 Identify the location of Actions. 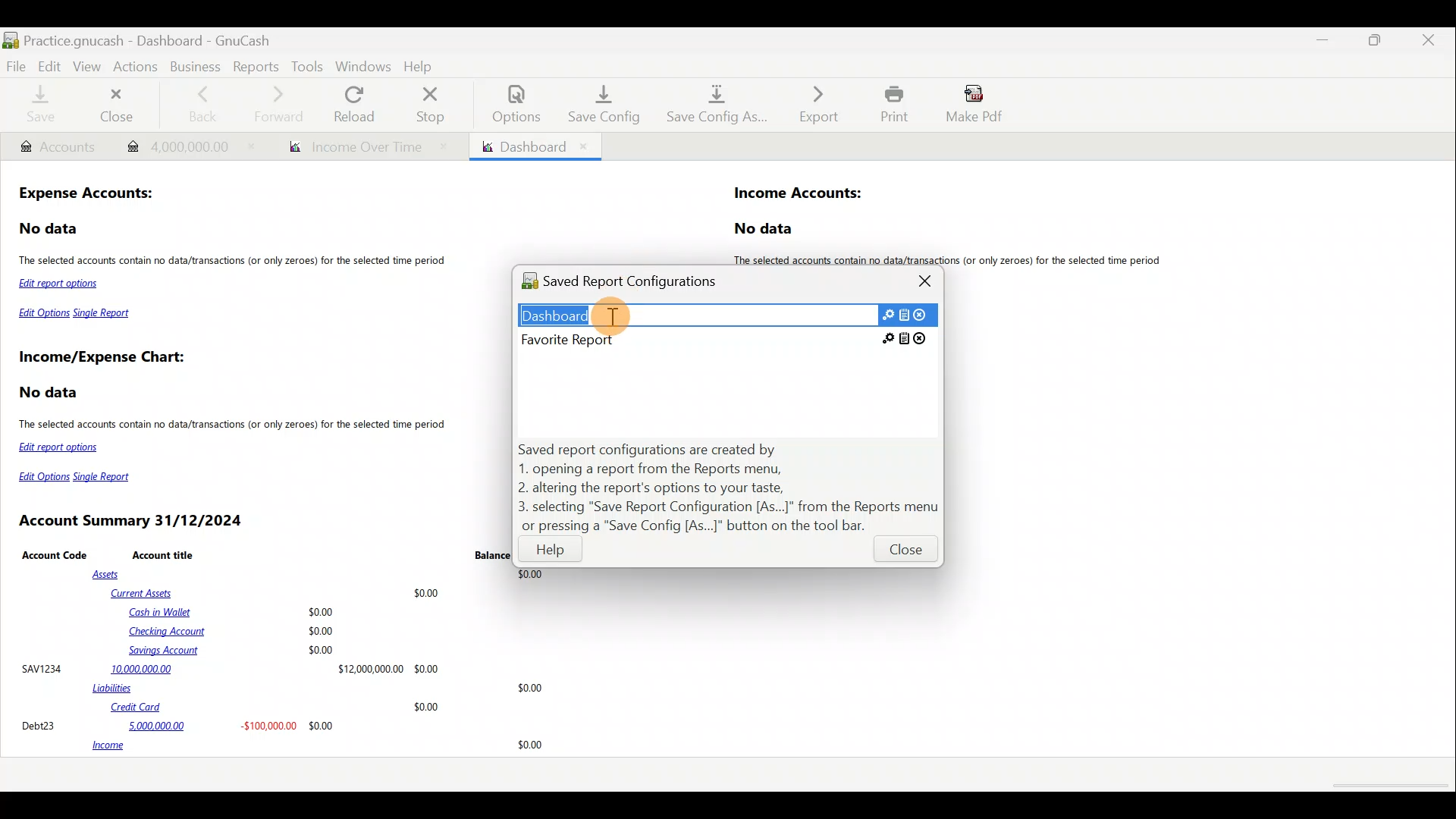
(139, 71).